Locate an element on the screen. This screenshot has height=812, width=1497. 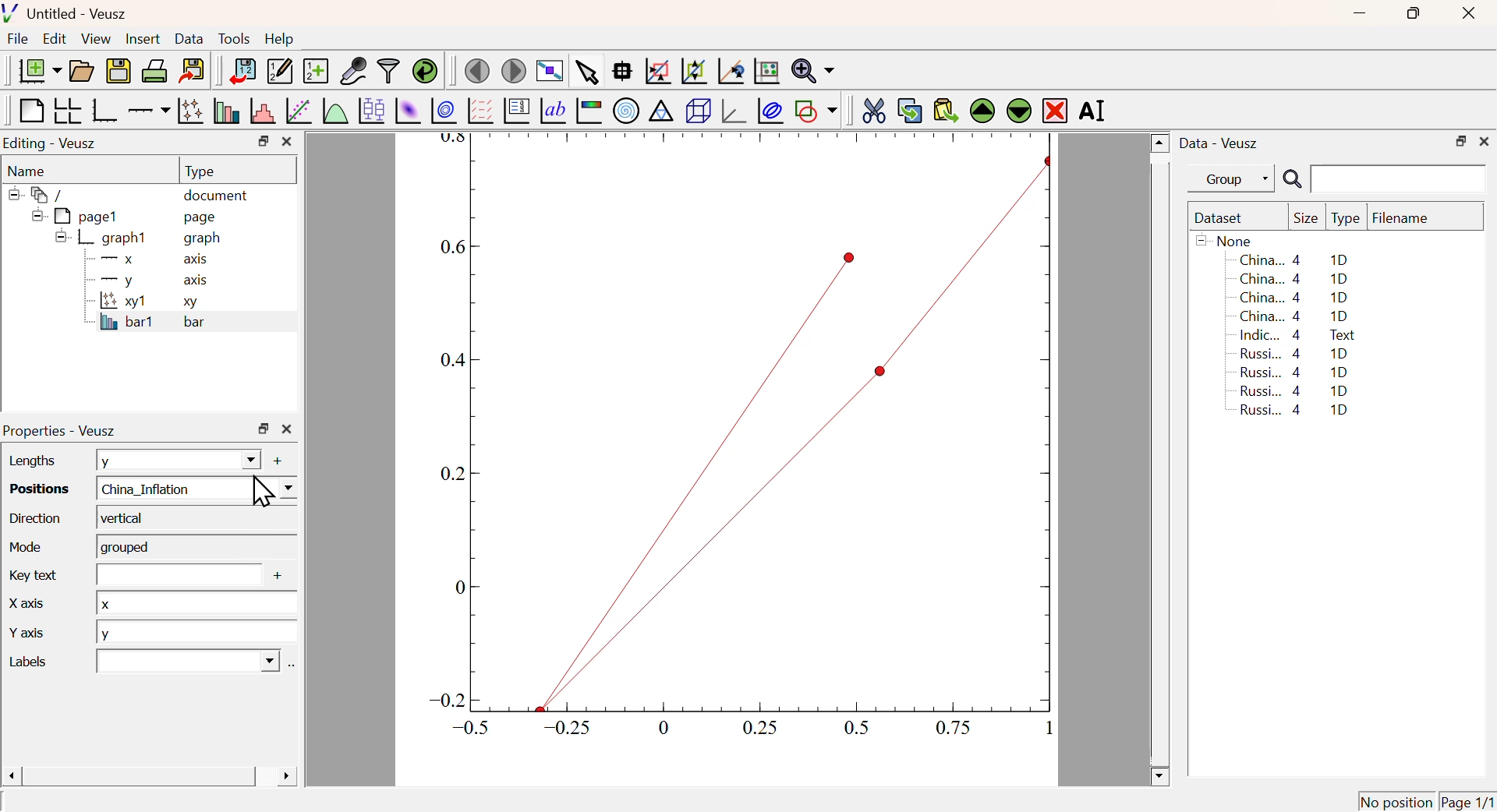
Type is located at coordinates (200, 171).